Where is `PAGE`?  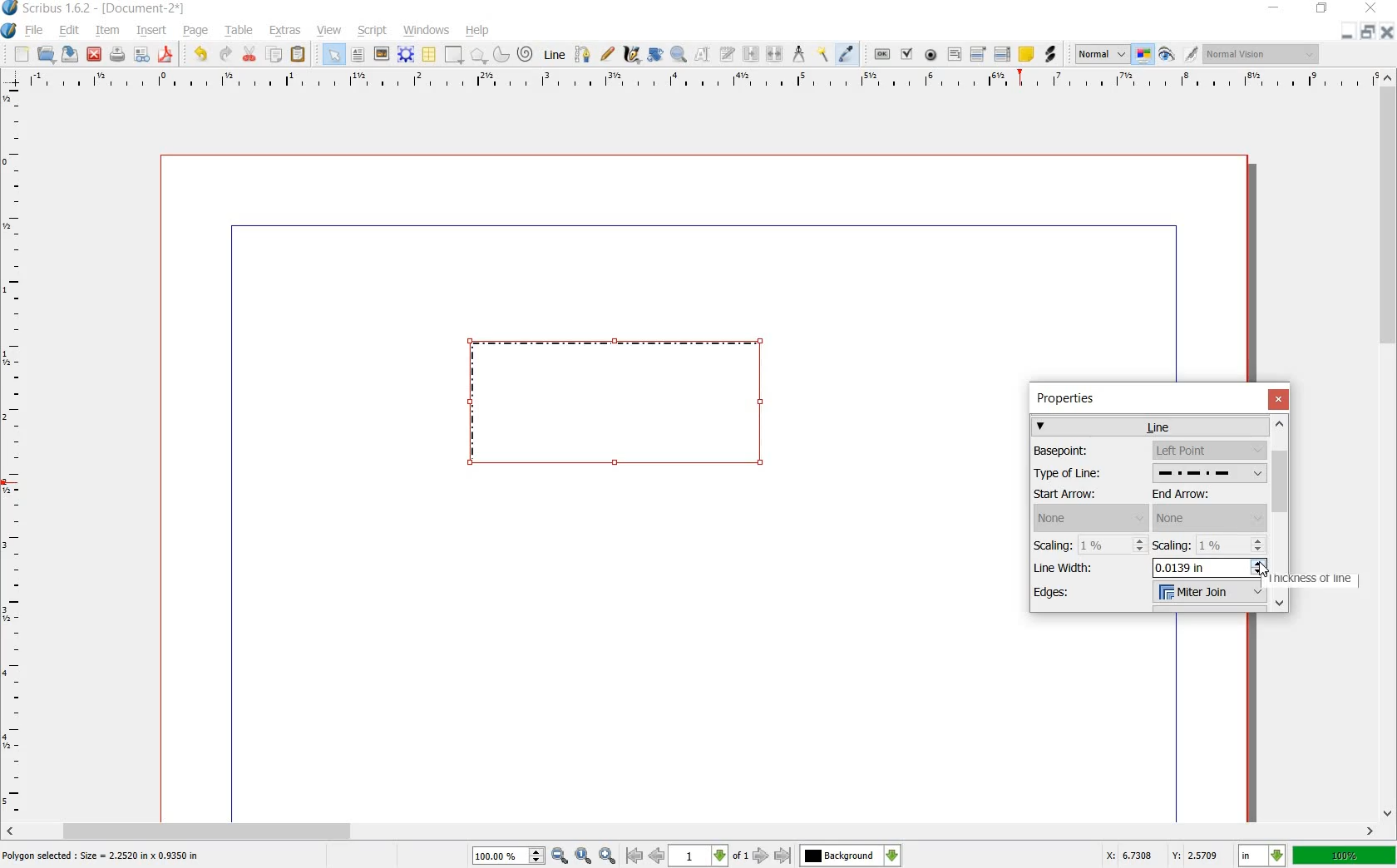
PAGE is located at coordinates (195, 32).